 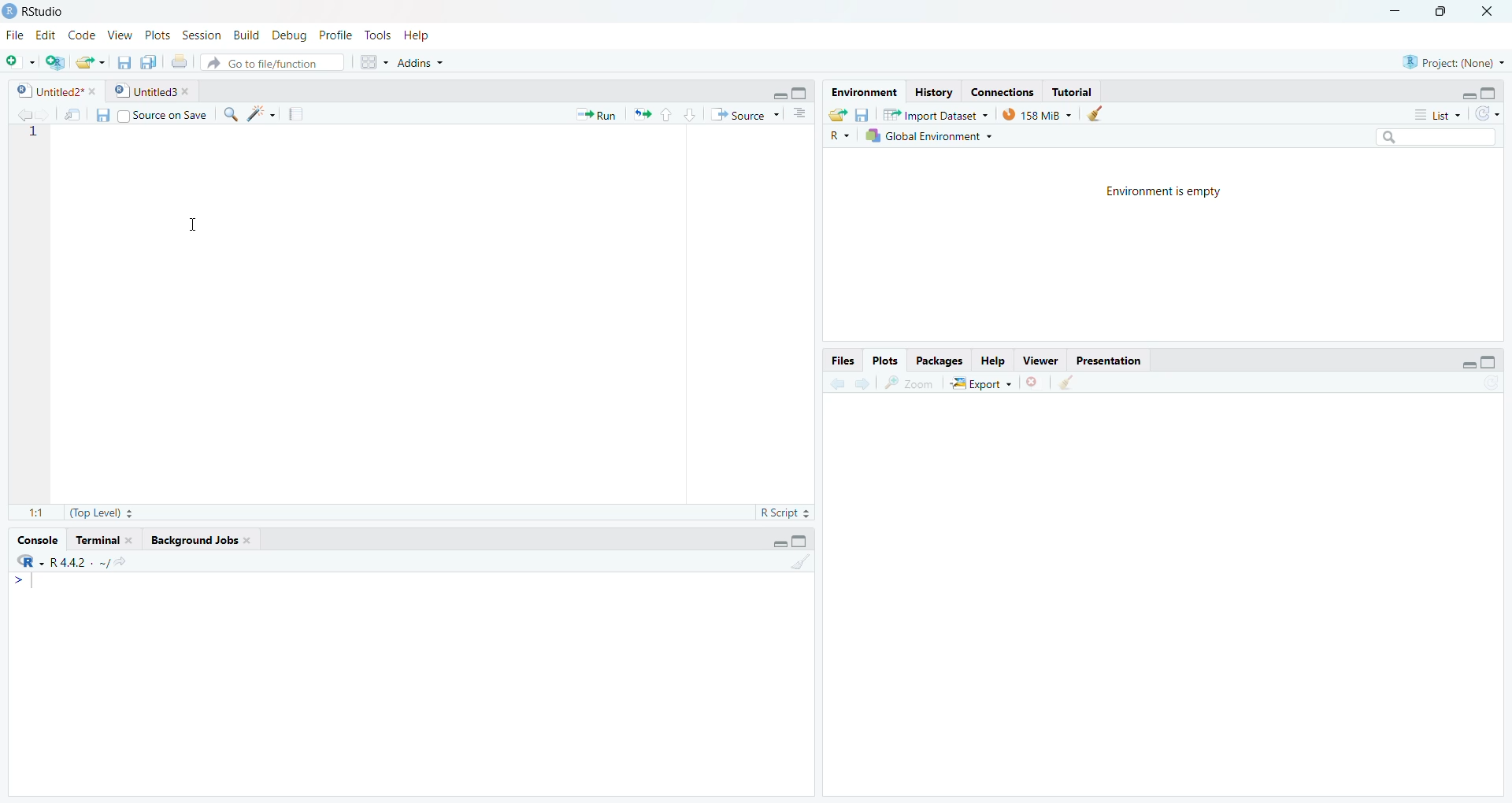 What do you see at coordinates (1466, 92) in the screenshot?
I see `Minimize/maximize` at bounding box center [1466, 92].